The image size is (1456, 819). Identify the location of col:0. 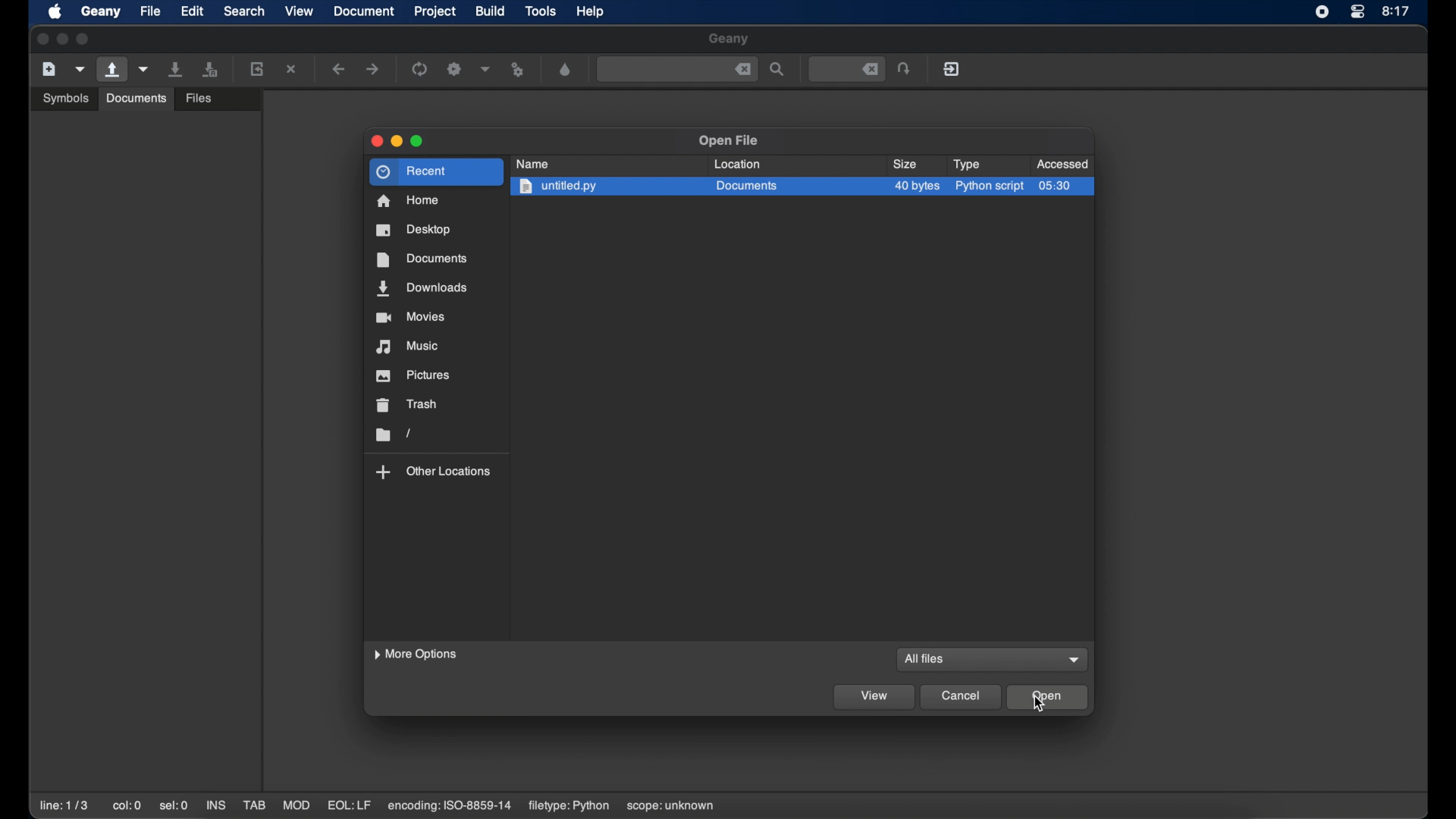
(127, 805).